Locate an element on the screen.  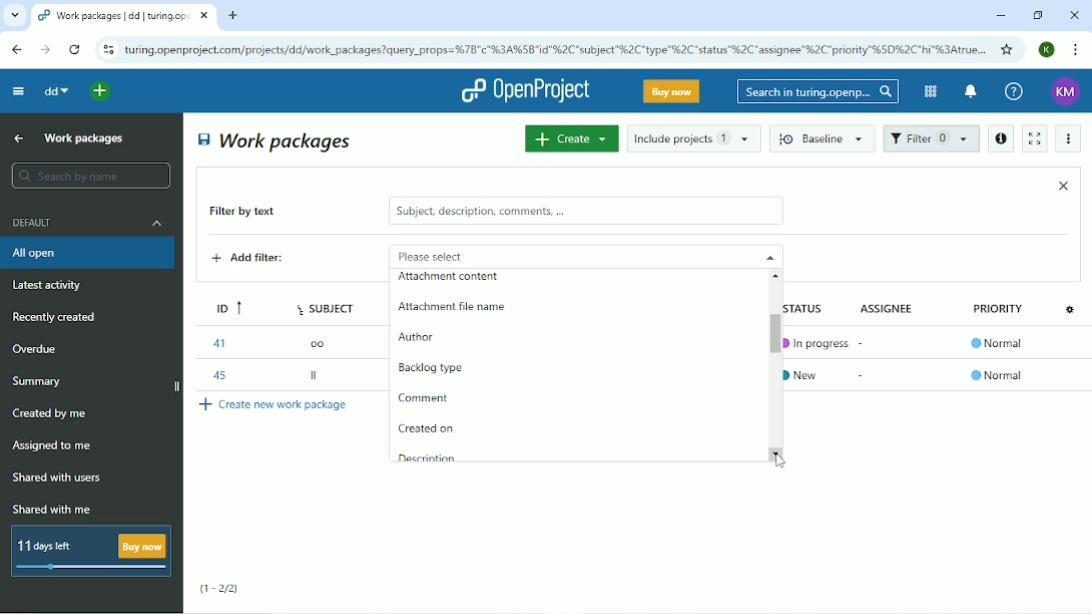
Forward is located at coordinates (43, 50).